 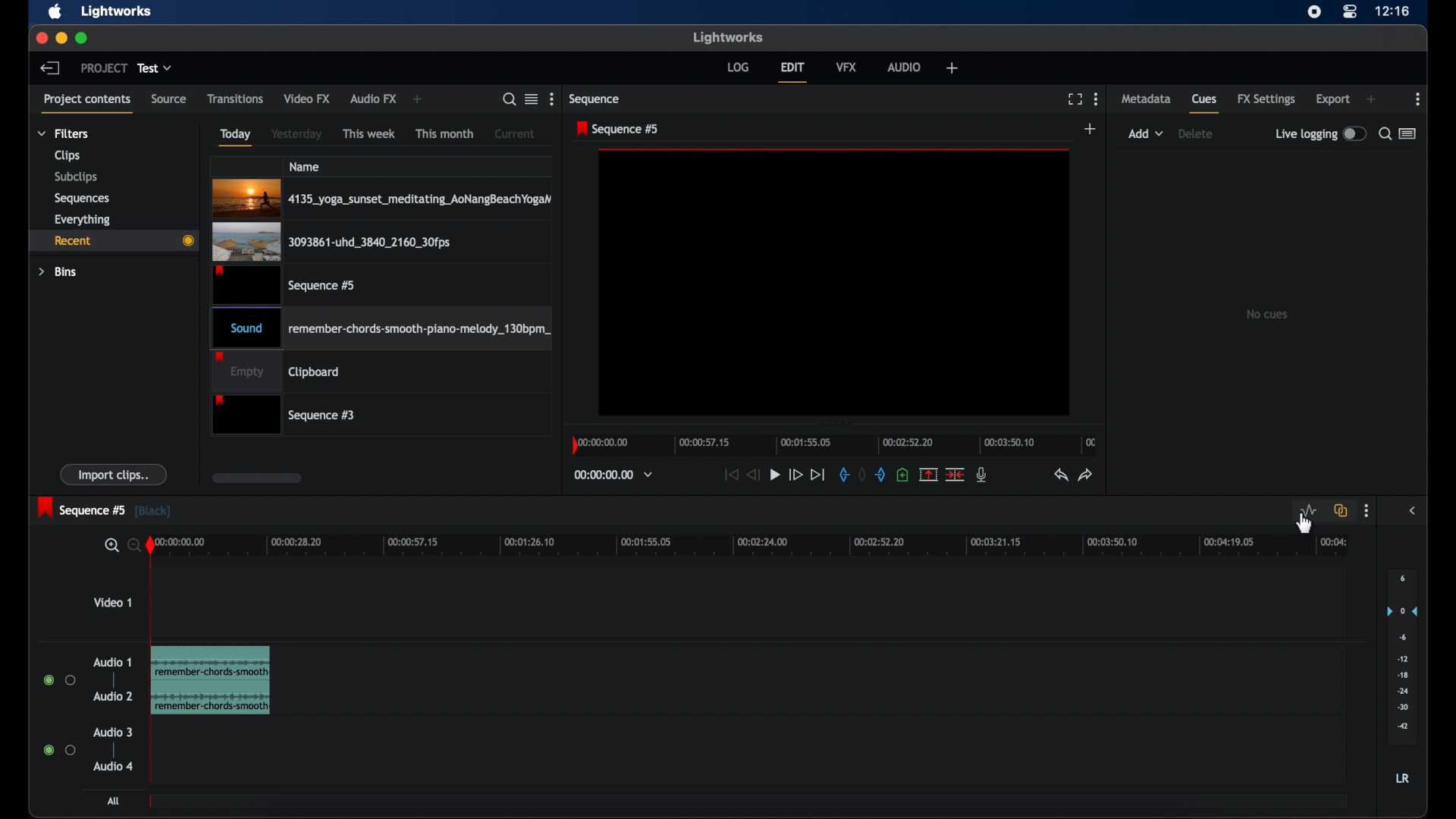 What do you see at coordinates (881, 475) in the screenshot?
I see `out mark` at bounding box center [881, 475].